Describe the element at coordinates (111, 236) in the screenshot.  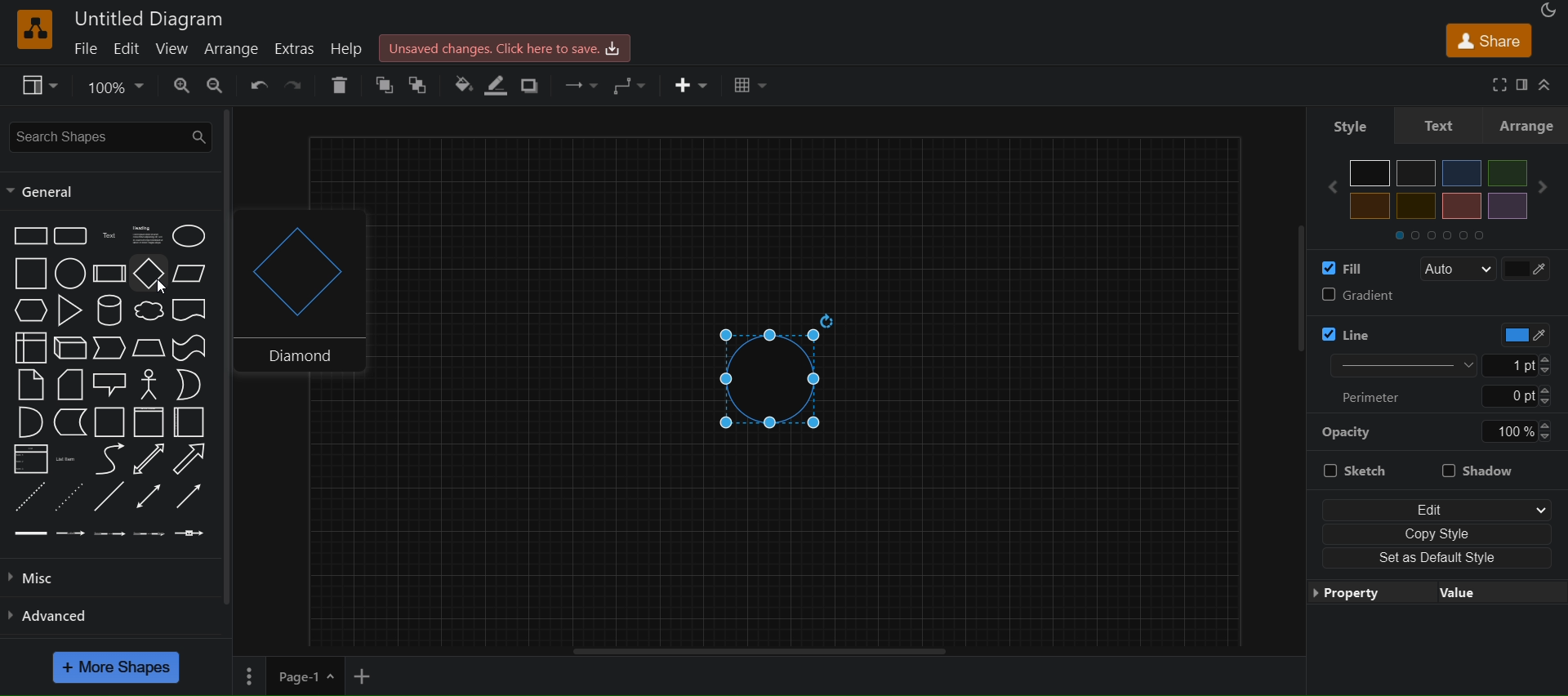
I see `text` at that location.